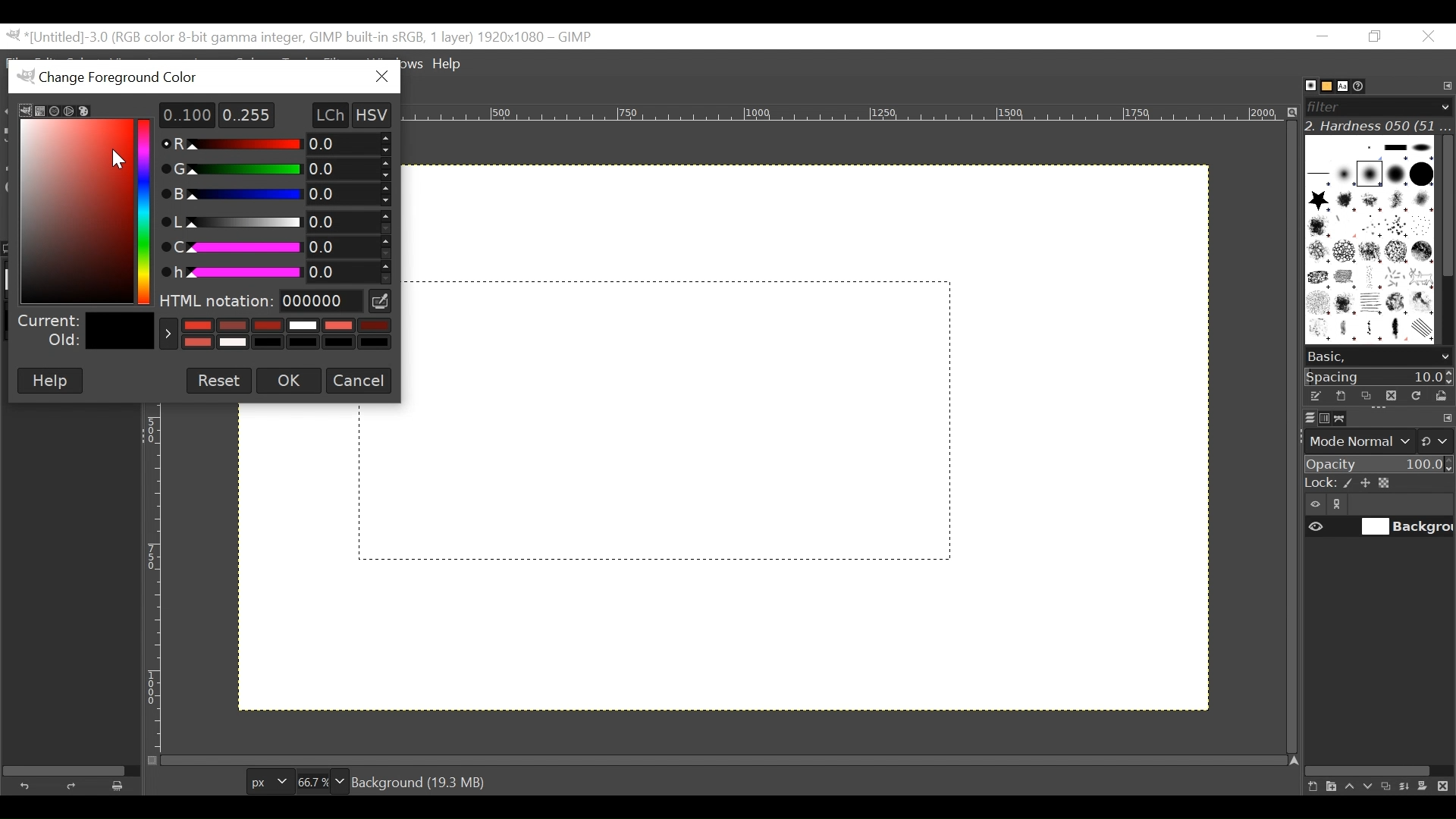 Image resolution: width=1456 pixels, height=819 pixels. I want to click on Clear button, so click(122, 786).